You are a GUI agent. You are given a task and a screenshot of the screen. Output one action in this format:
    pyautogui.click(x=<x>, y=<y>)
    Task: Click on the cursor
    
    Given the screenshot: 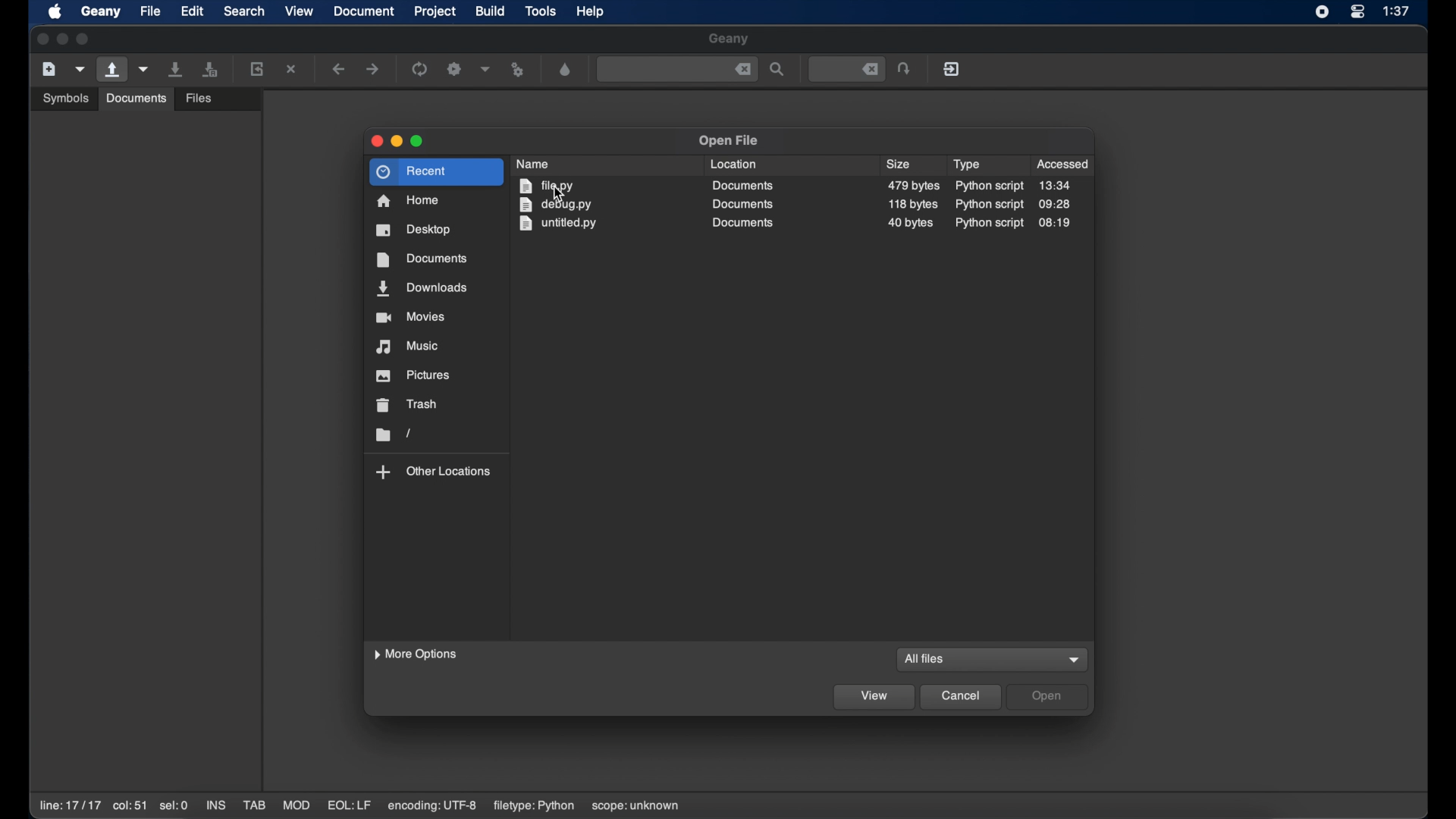 What is the action you would take?
    pyautogui.click(x=558, y=196)
    